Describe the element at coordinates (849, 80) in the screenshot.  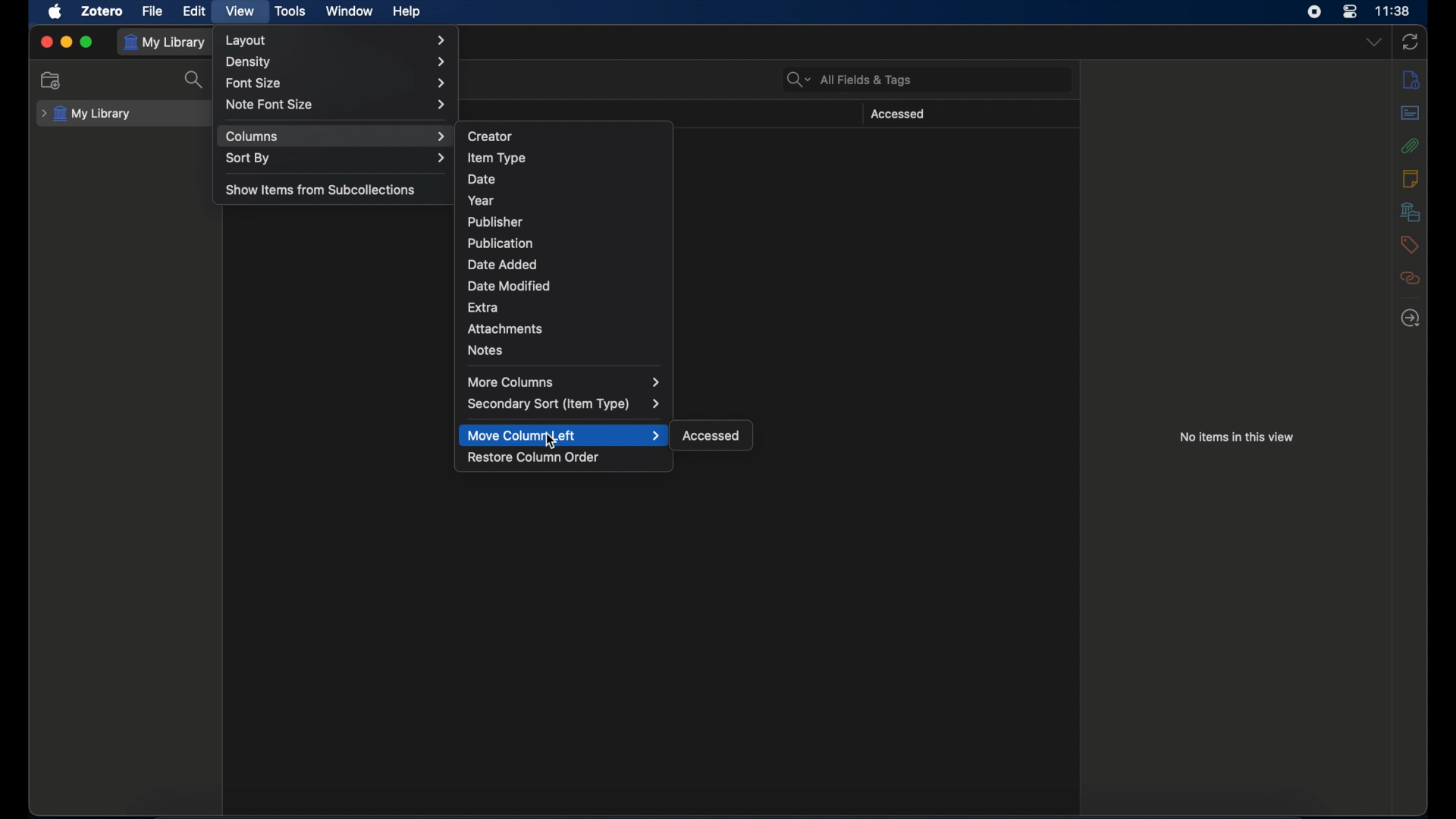
I see `search bar` at that location.